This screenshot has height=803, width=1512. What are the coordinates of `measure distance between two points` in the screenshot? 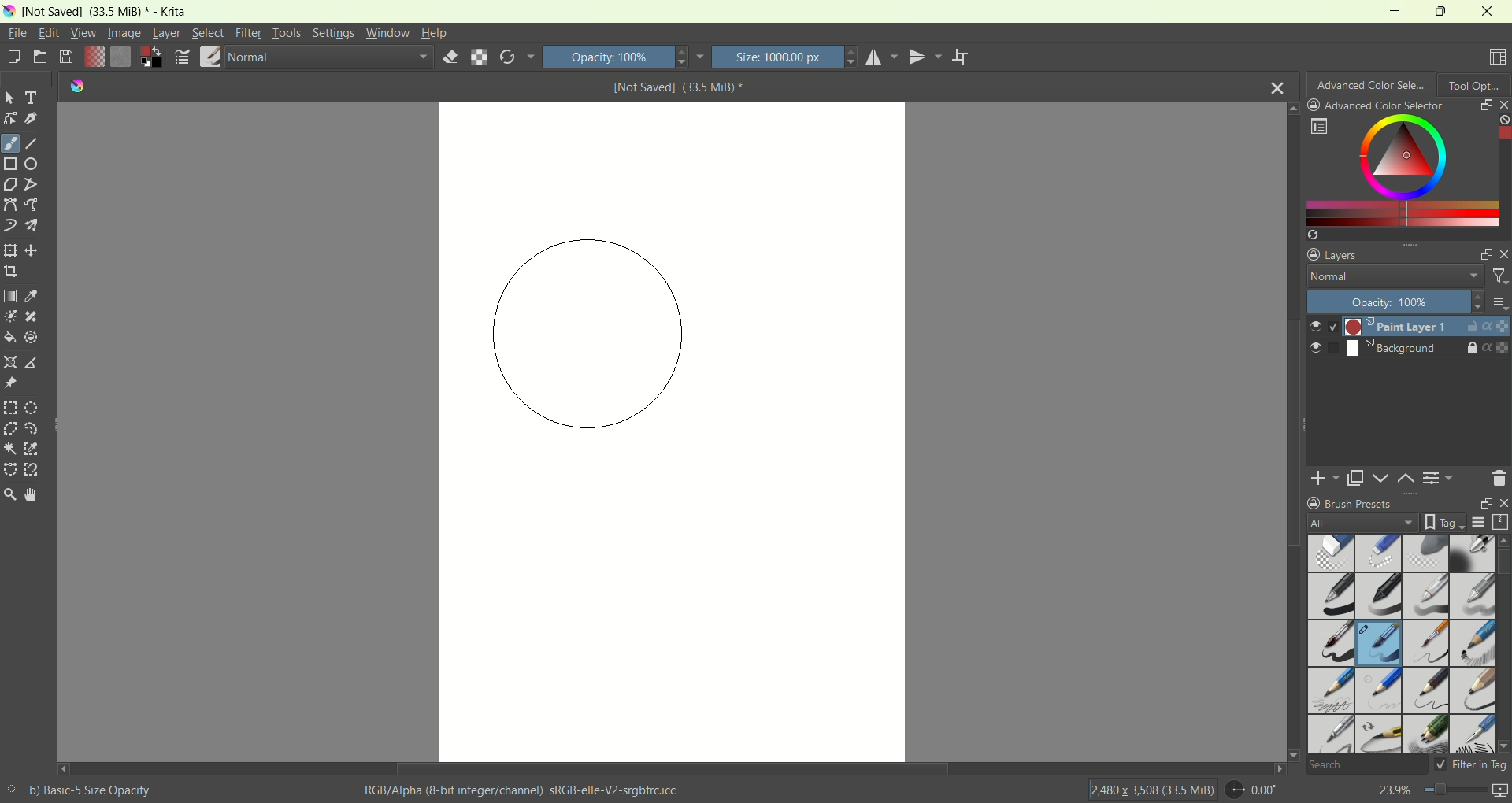 It's located at (34, 363).